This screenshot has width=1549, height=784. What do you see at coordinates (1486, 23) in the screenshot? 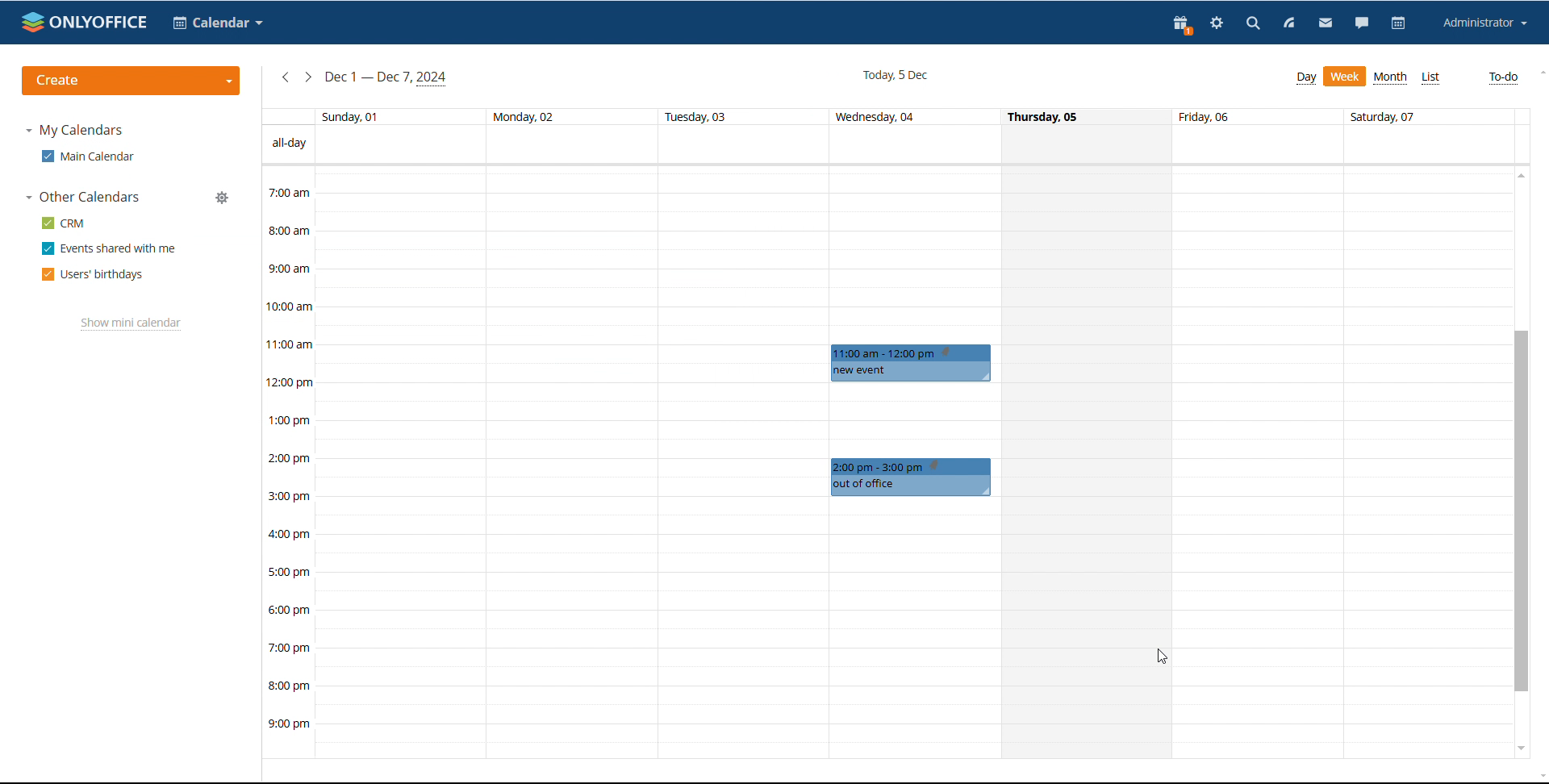
I see `account` at bounding box center [1486, 23].